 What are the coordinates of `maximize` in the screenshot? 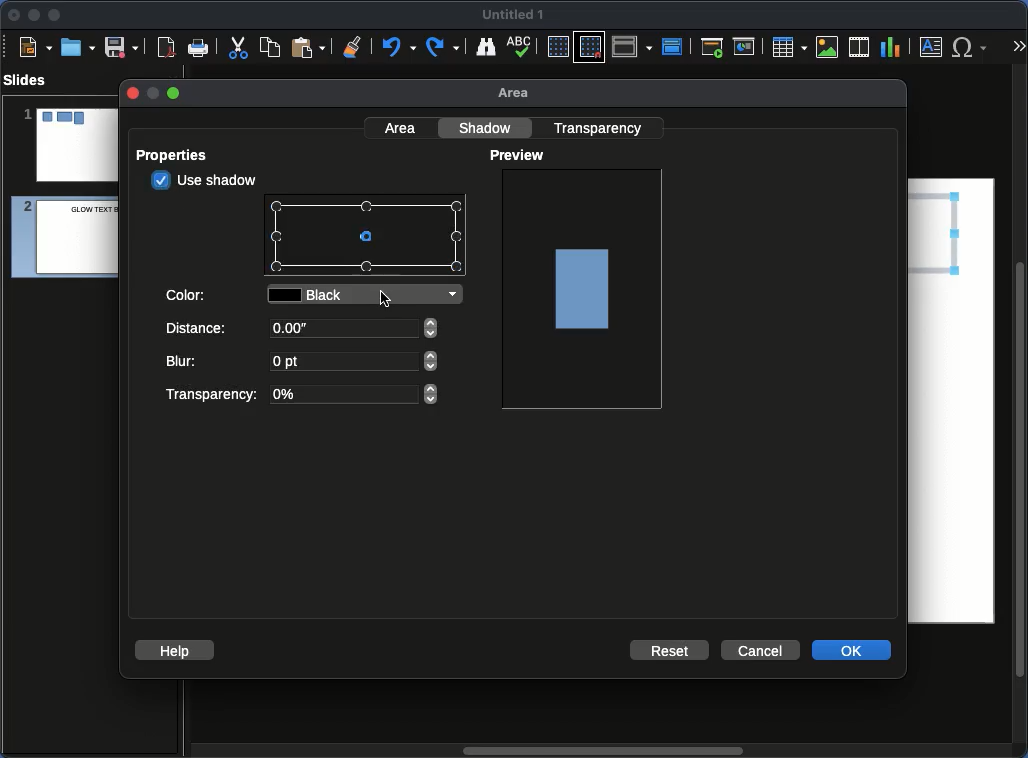 It's located at (175, 94).